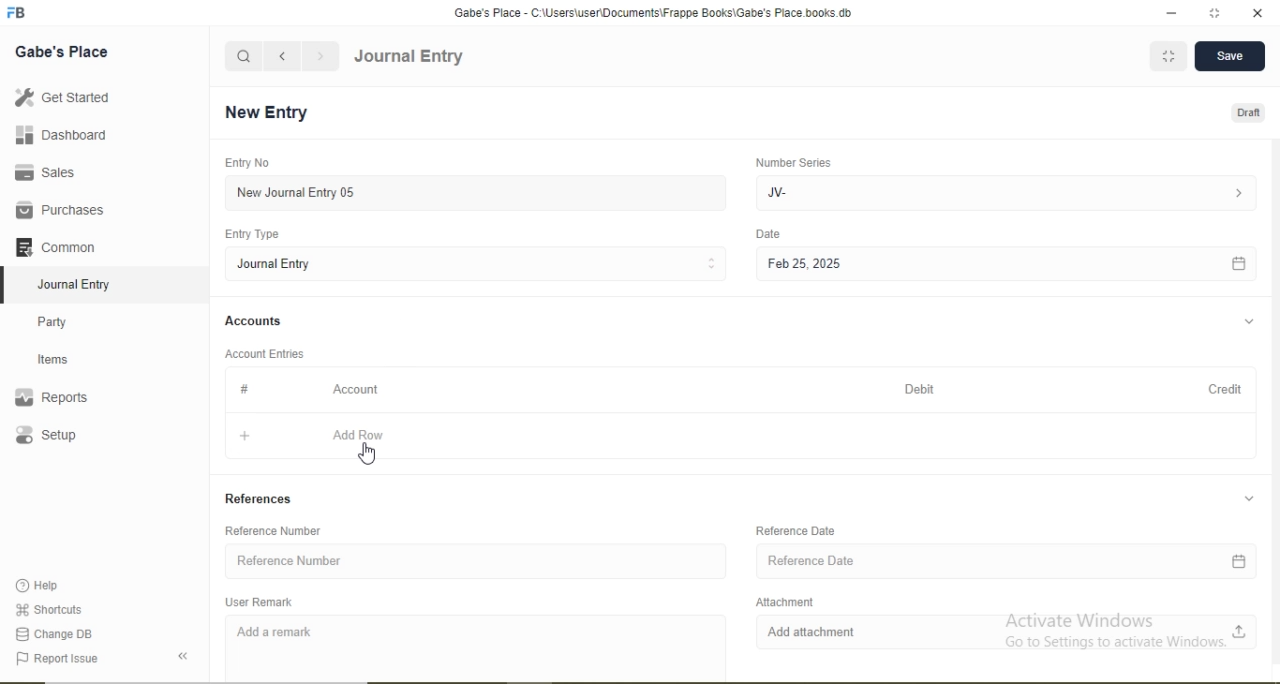 This screenshot has width=1280, height=684. What do you see at coordinates (64, 51) in the screenshot?
I see `Gabe's Place` at bounding box center [64, 51].